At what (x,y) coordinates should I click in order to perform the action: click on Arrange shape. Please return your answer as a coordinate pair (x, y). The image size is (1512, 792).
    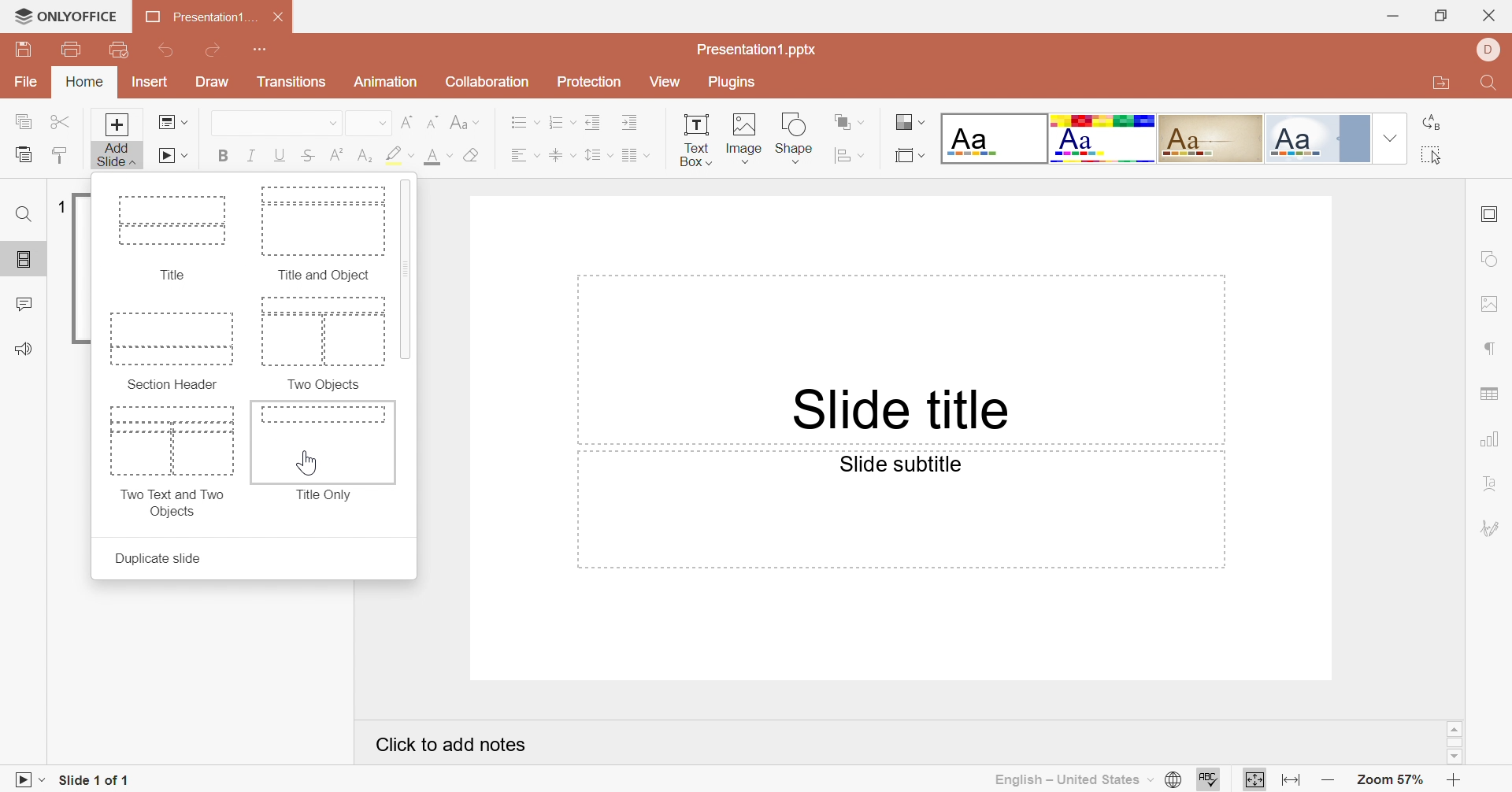
    Looking at the image, I should click on (844, 120).